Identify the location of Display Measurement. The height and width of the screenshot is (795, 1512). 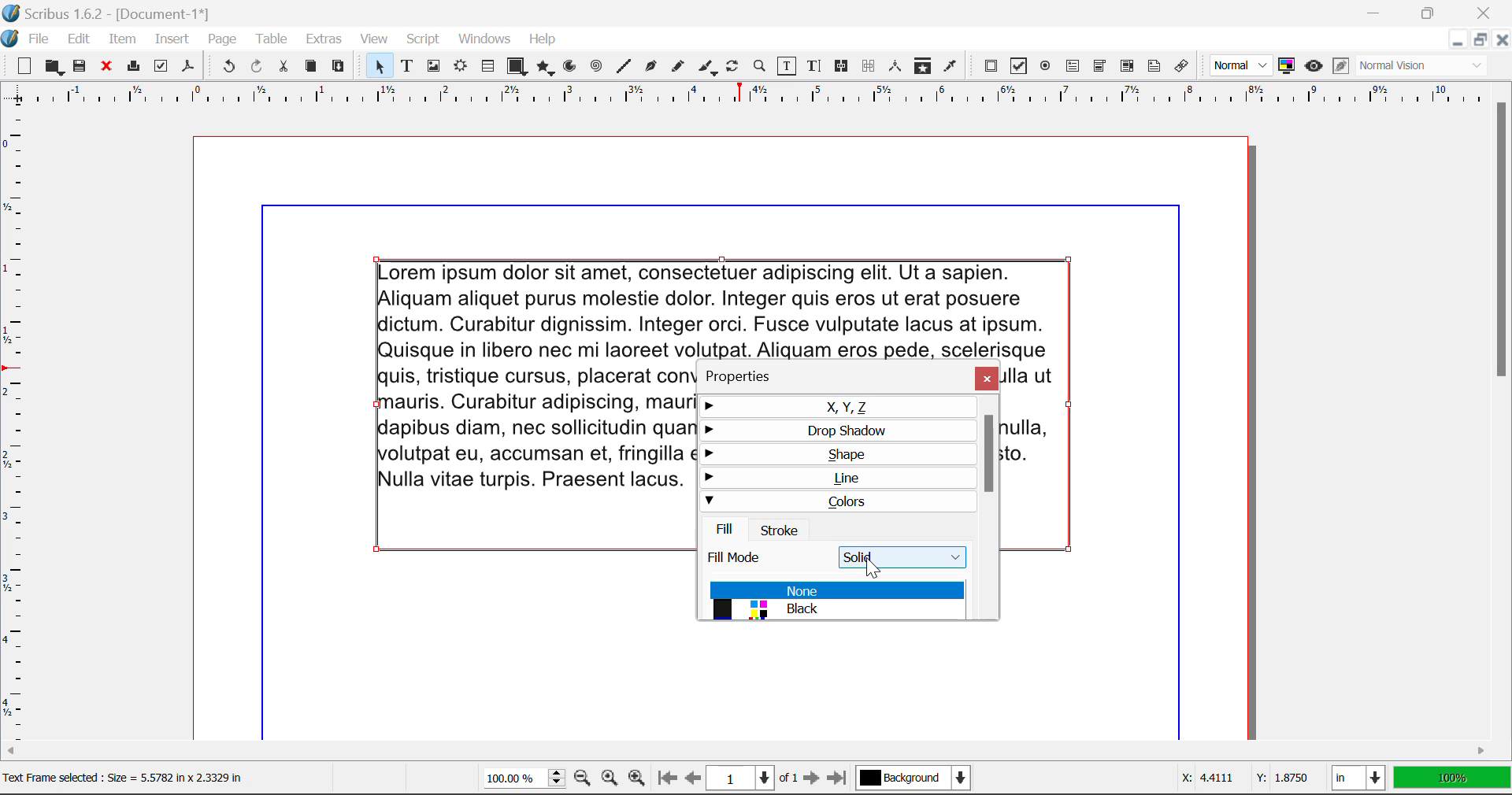
(1452, 780).